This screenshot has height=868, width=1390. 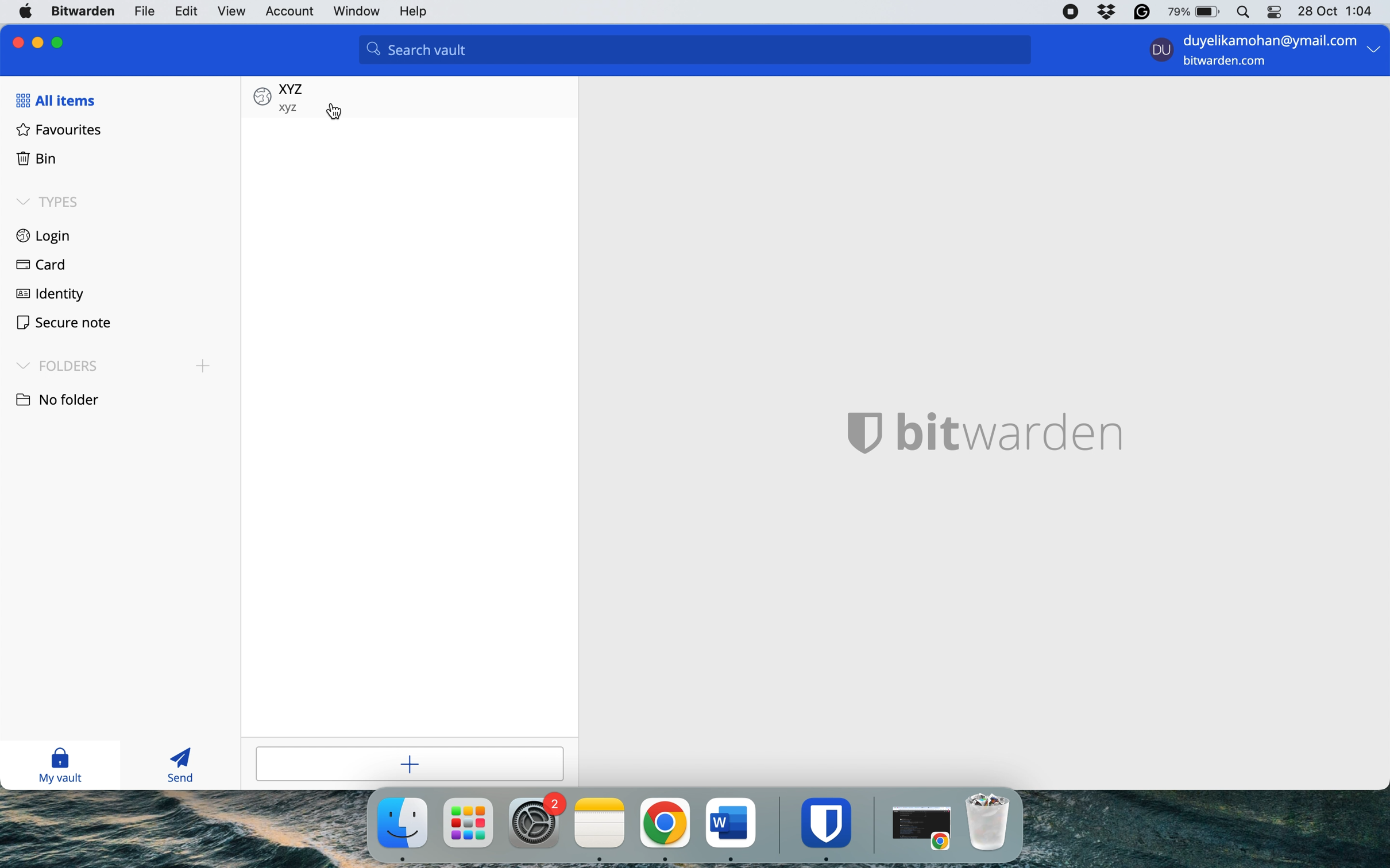 I want to click on battery, so click(x=1190, y=12).